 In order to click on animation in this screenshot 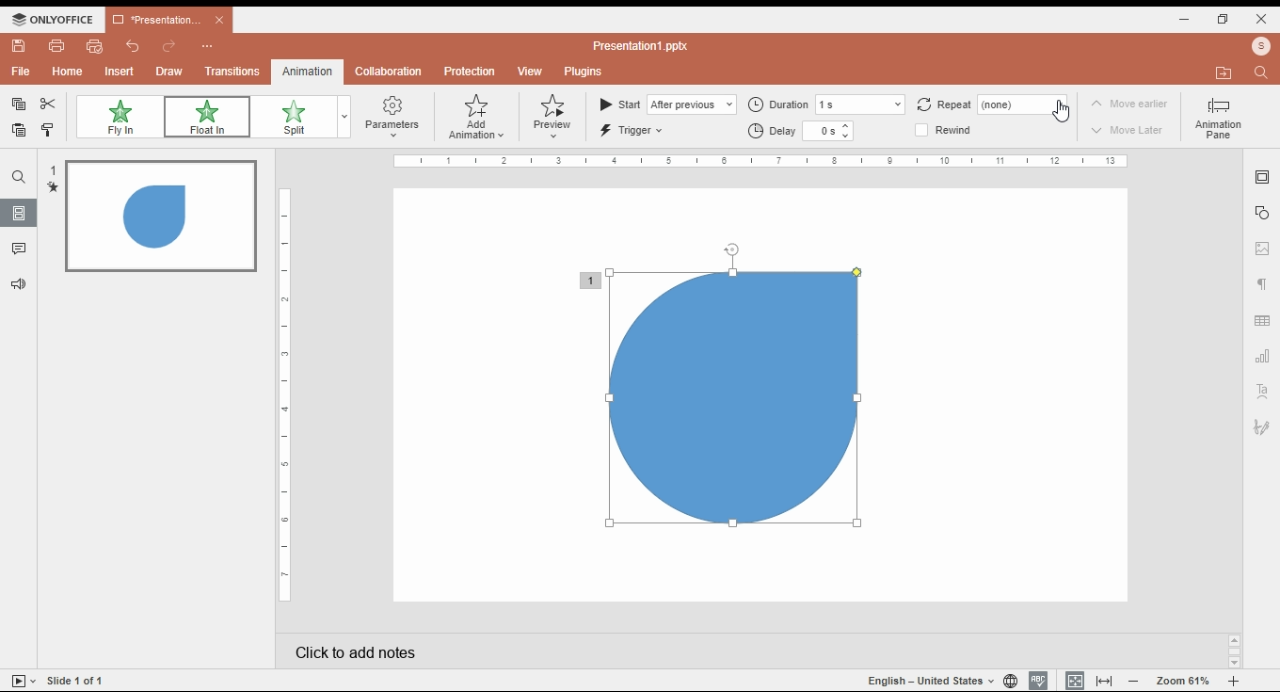, I will do `click(305, 71)`.